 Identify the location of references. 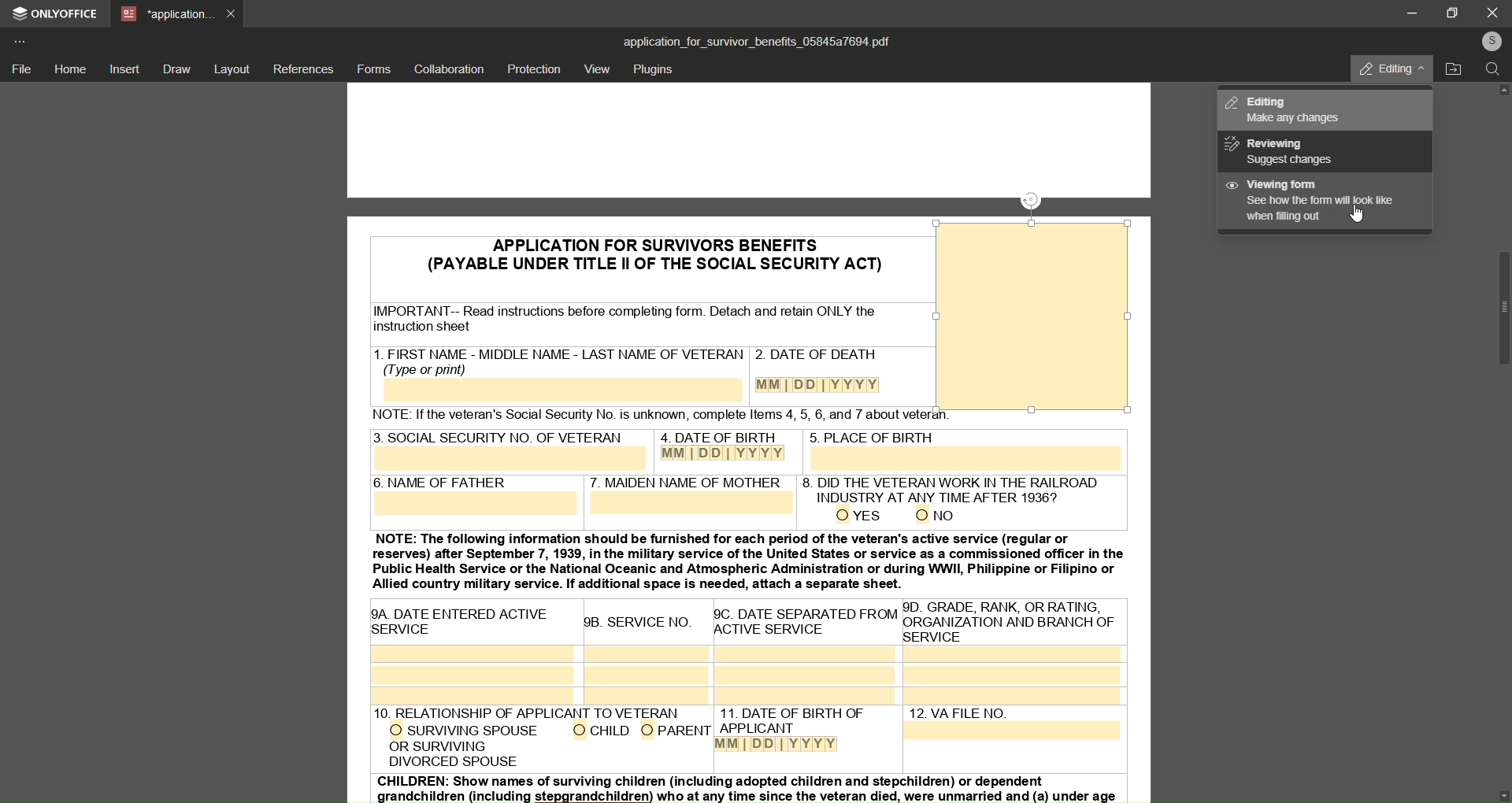
(304, 68).